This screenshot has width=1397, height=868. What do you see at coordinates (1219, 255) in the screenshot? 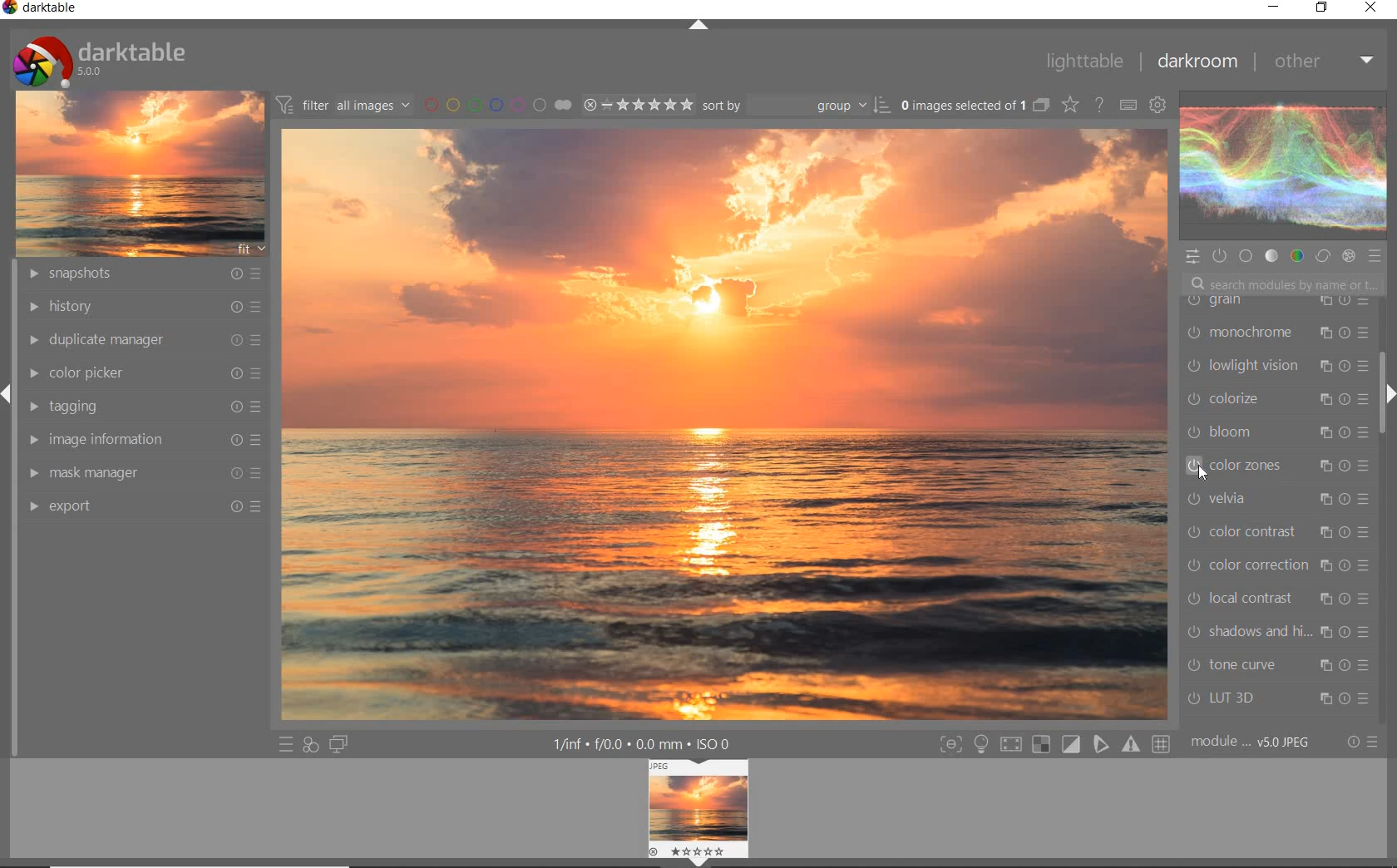
I see `SHOW ONLY ACTIVE MODULES` at bounding box center [1219, 255].